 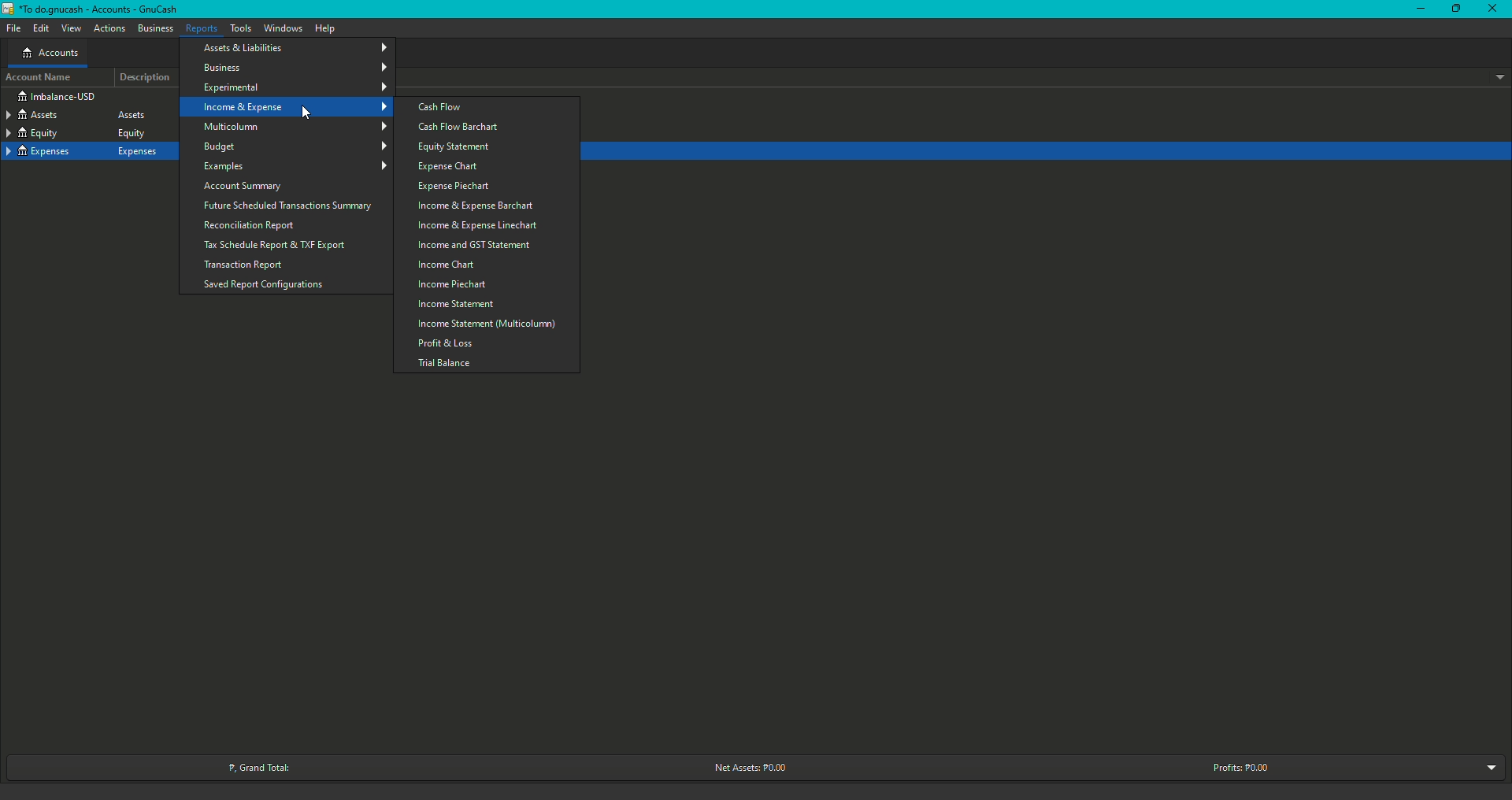 I want to click on Window, so click(x=281, y=29).